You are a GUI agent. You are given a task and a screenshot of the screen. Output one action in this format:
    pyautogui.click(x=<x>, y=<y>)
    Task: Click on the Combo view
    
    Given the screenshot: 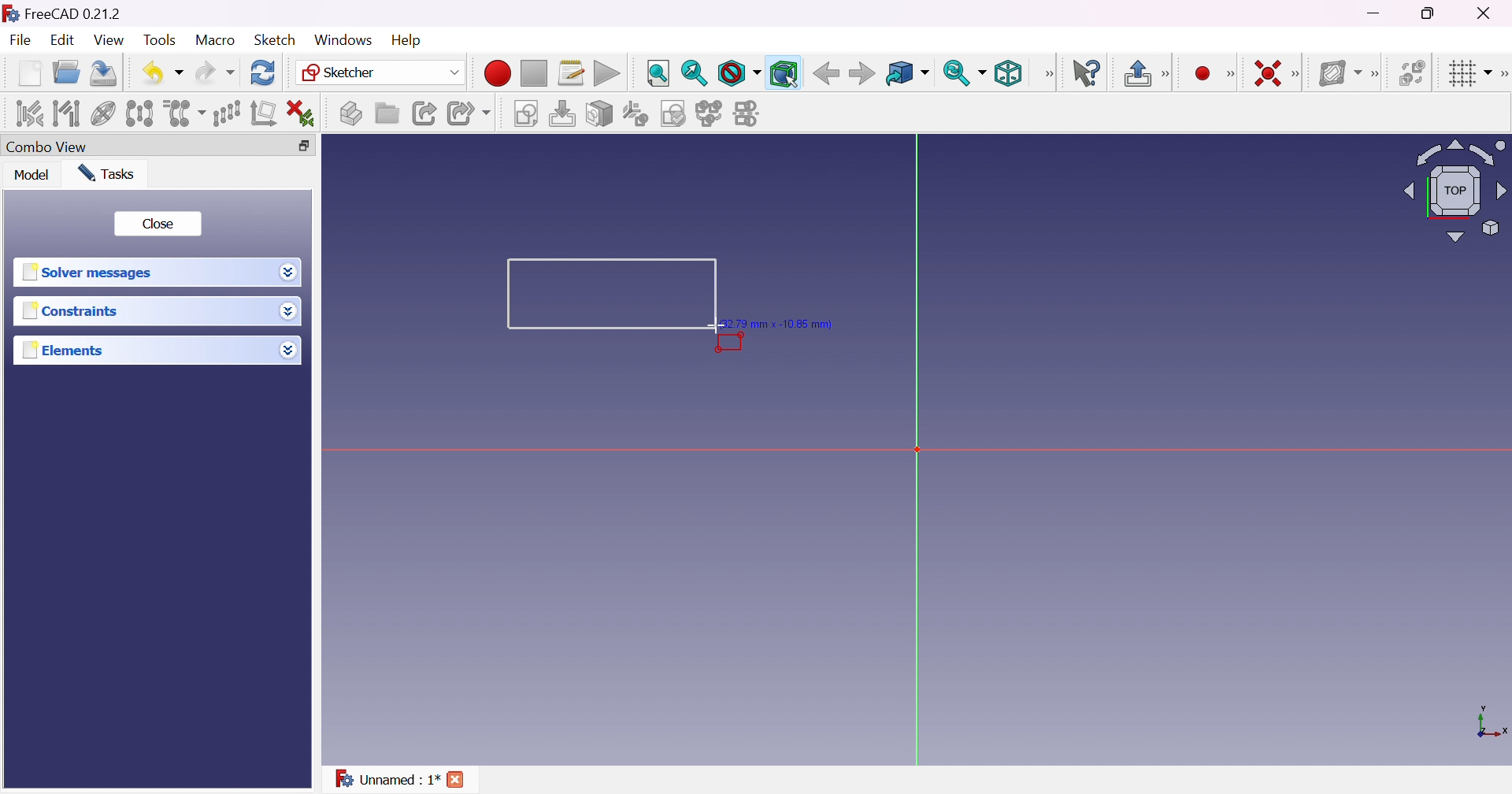 What is the action you would take?
    pyautogui.click(x=47, y=147)
    